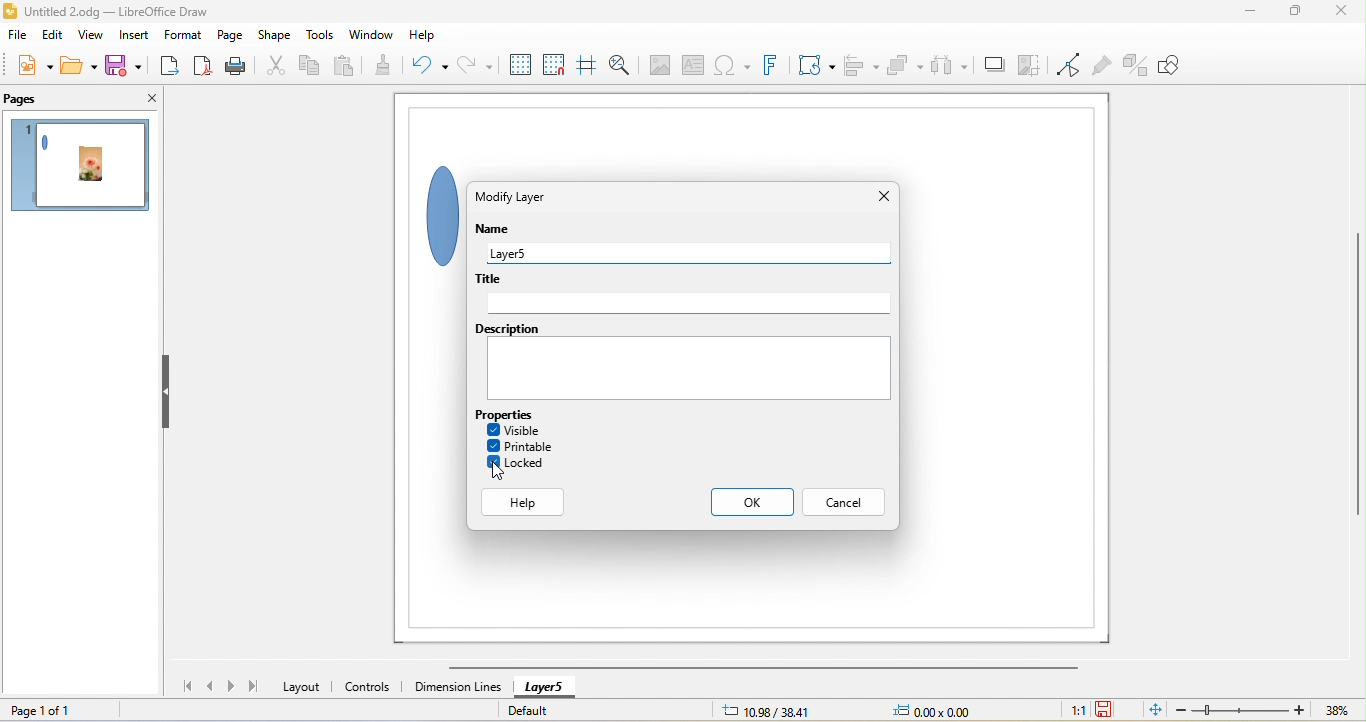 The height and width of the screenshot is (722, 1366). Describe the element at coordinates (753, 502) in the screenshot. I see `ok` at that location.